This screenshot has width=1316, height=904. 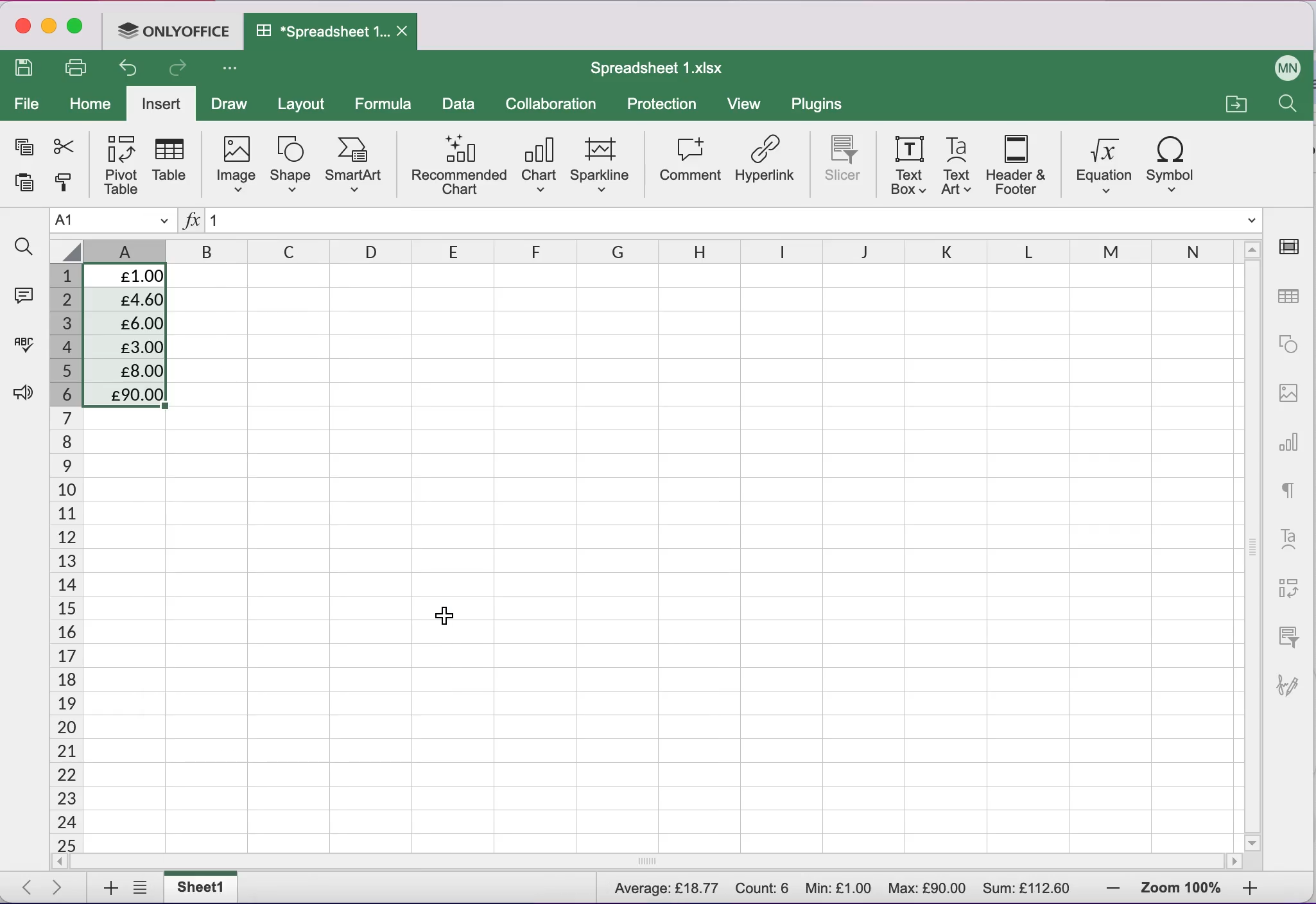 What do you see at coordinates (307, 103) in the screenshot?
I see `layout` at bounding box center [307, 103].